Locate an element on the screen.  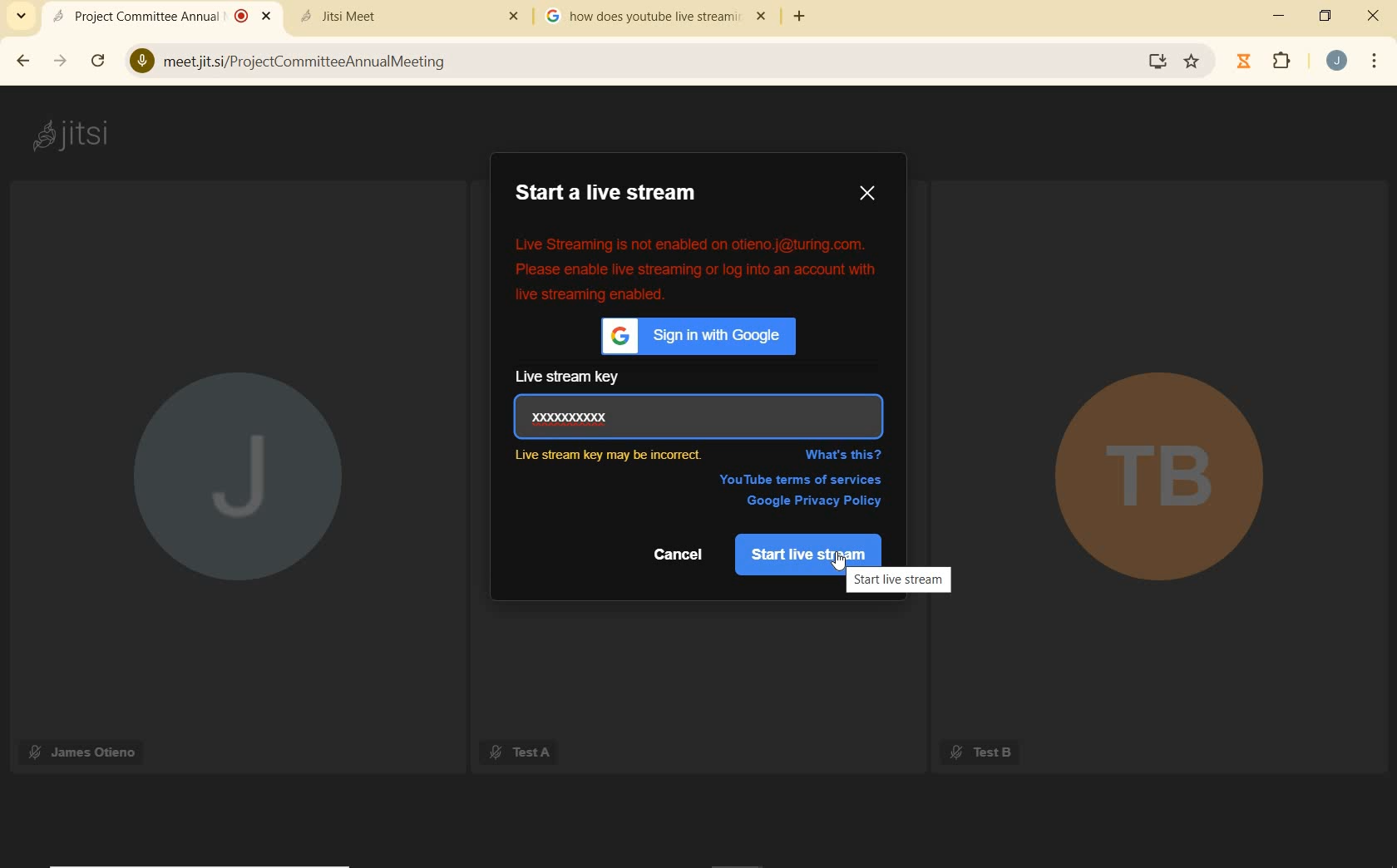
live stream key is located at coordinates (573, 377).